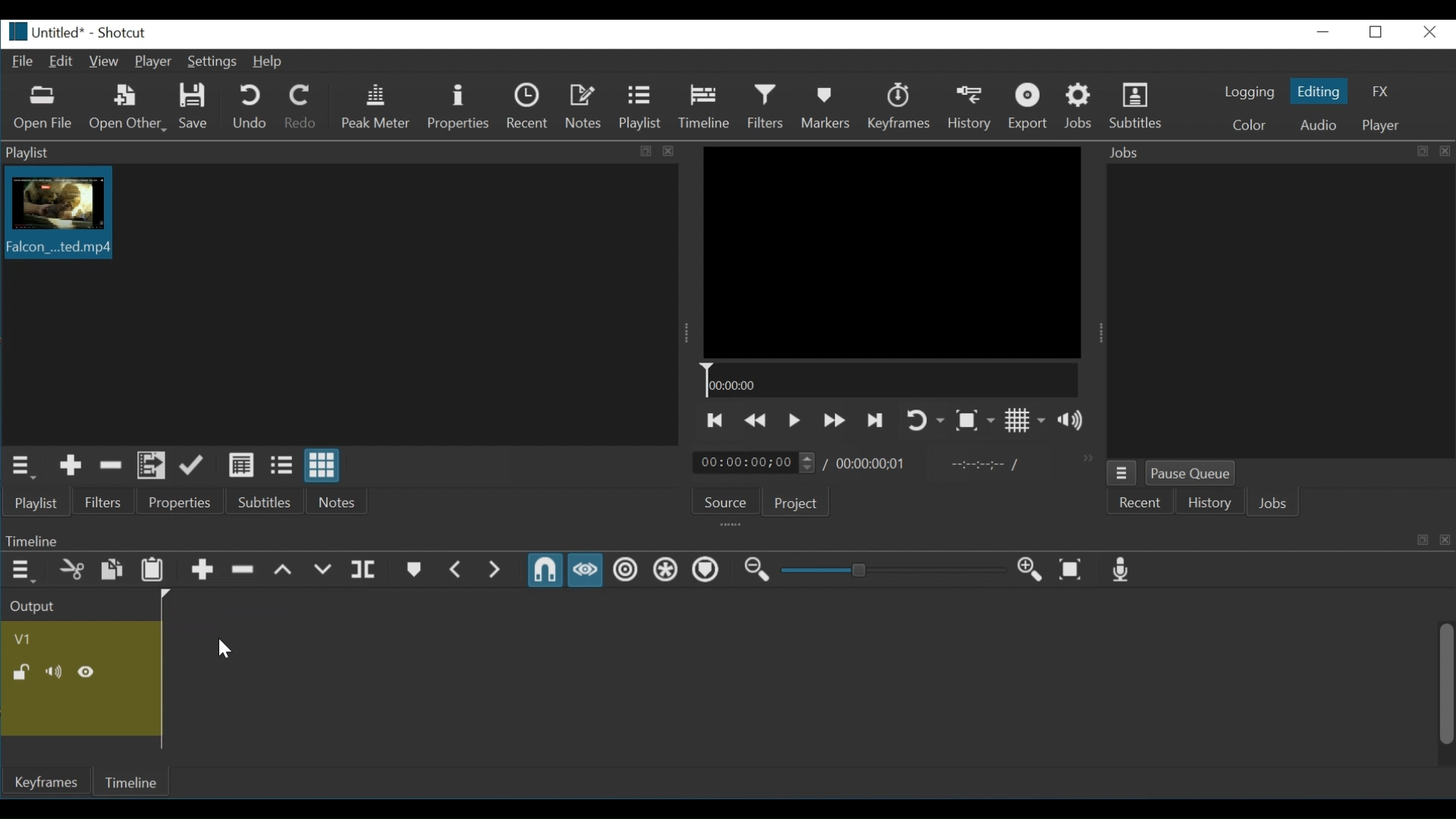 Image resolution: width=1456 pixels, height=819 pixels. What do you see at coordinates (894, 253) in the screenshot?
I see `Media Viewer` at bounding box center [894, 253].